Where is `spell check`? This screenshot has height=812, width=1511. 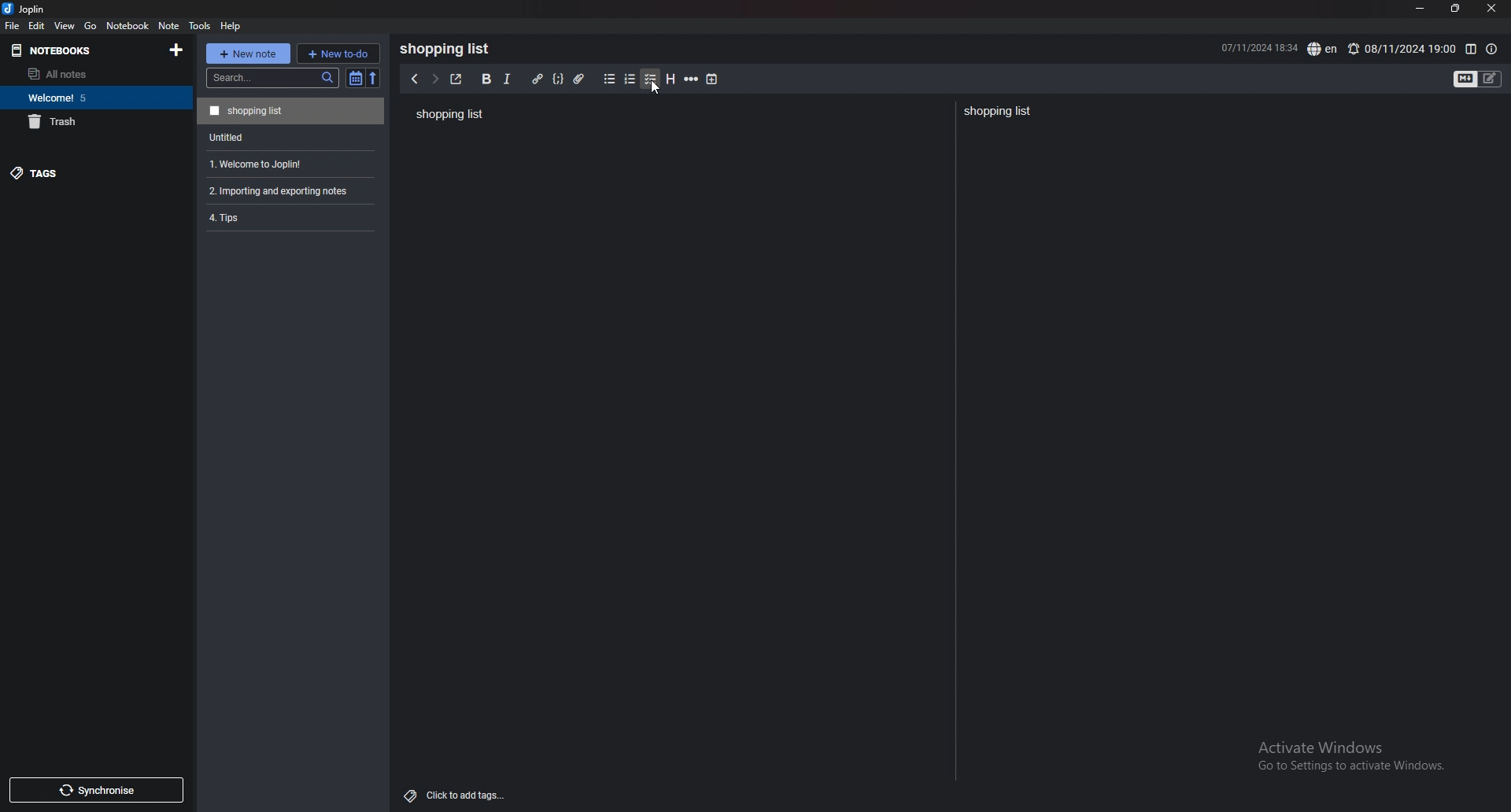 spell check is located at coordinates (1324, 49).